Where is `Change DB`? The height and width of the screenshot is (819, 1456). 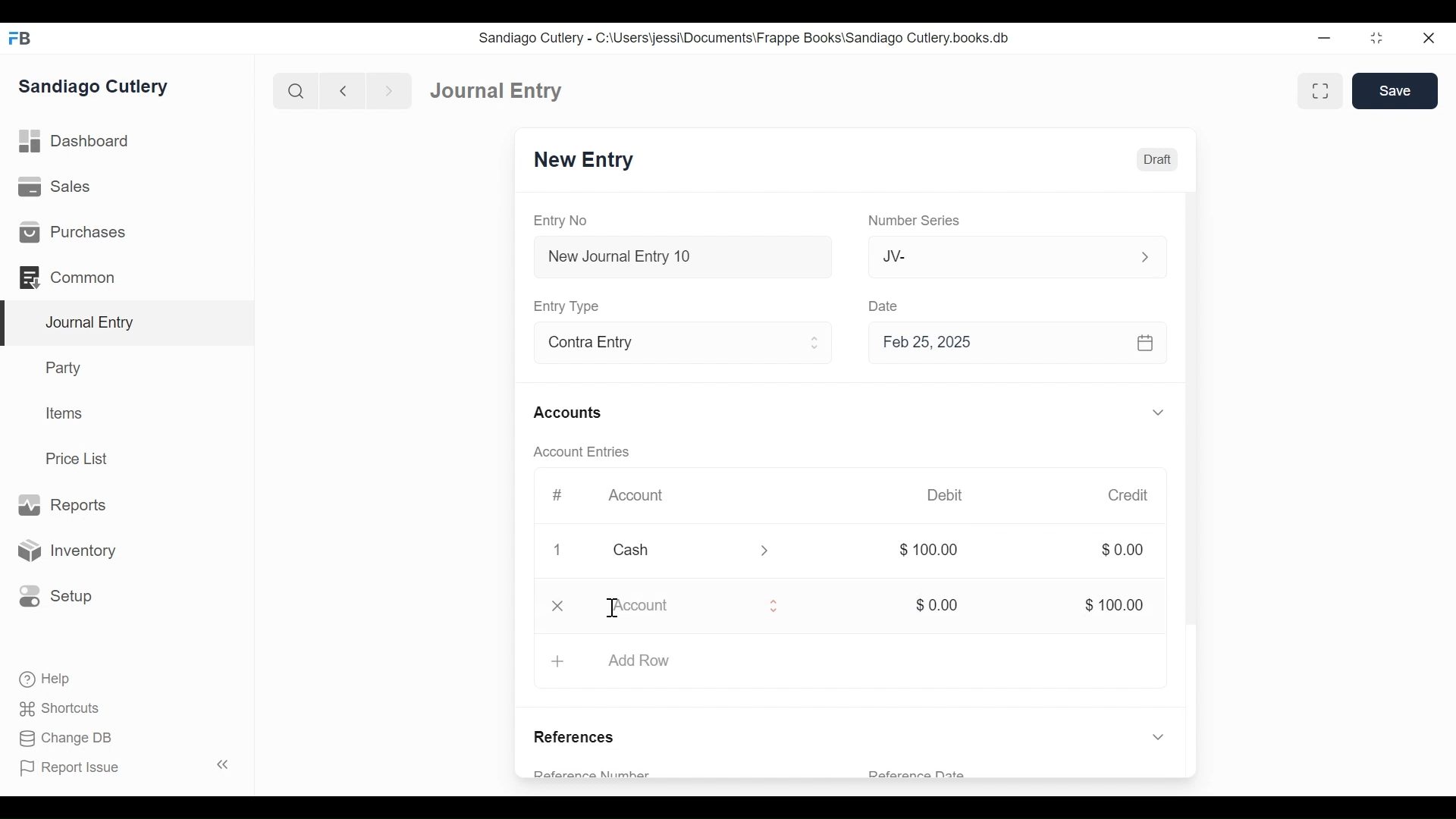 Change DB is located at coordinates (61, 738).